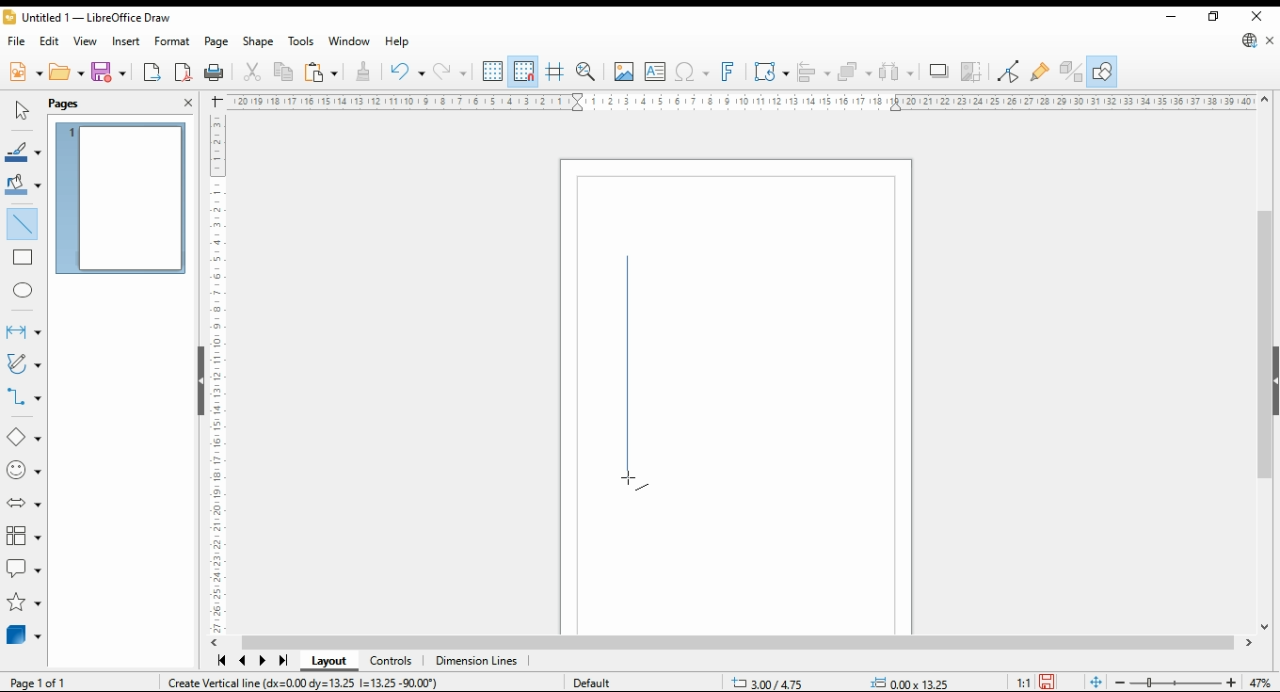 The width and height of the screenshot is (1280, 692). Describe the element at coordinates (199, 379) in the screenshot. I see `collapse` at that location.